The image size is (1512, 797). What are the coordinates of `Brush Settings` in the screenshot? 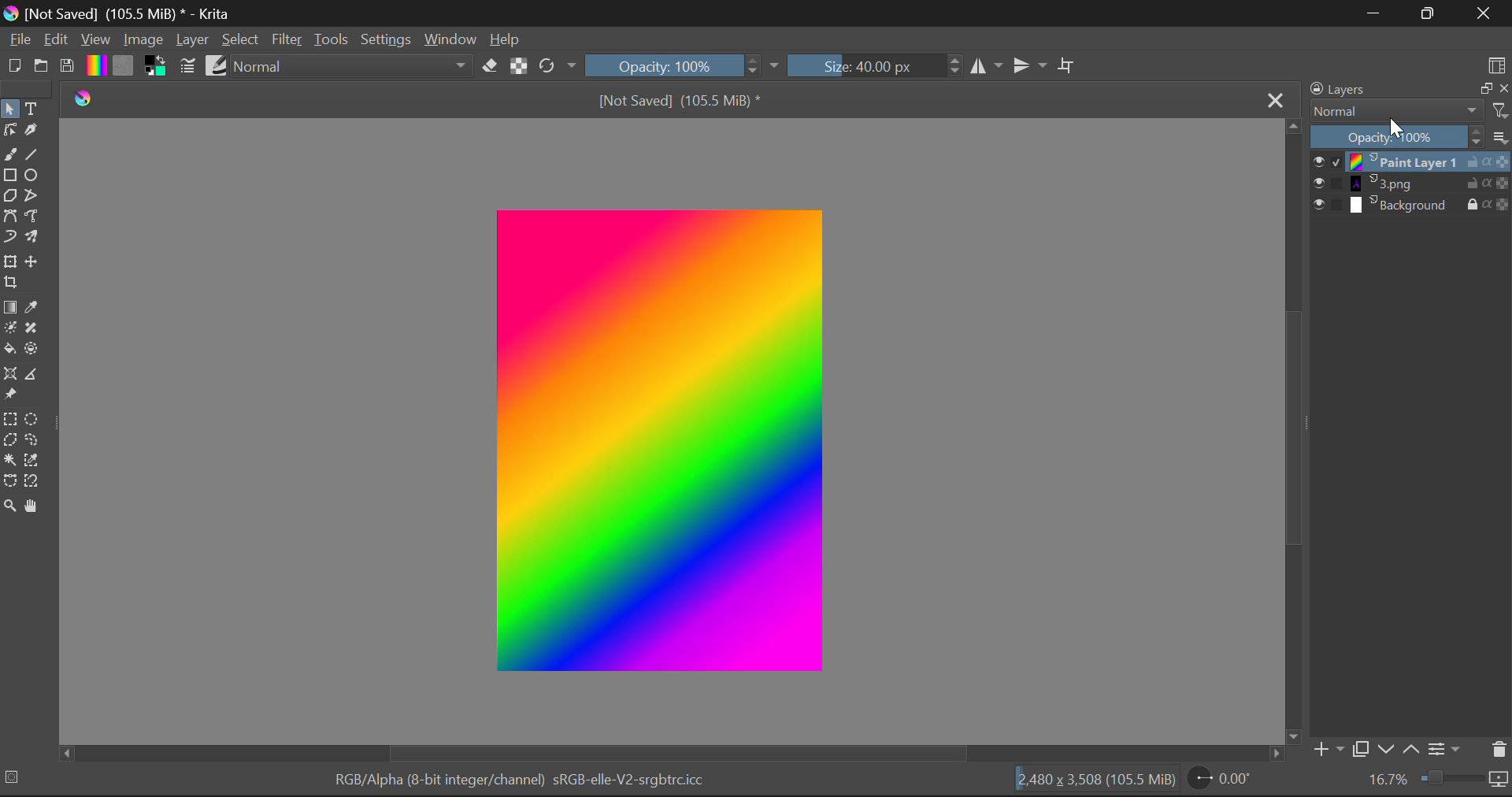 It's located at (189, 65).